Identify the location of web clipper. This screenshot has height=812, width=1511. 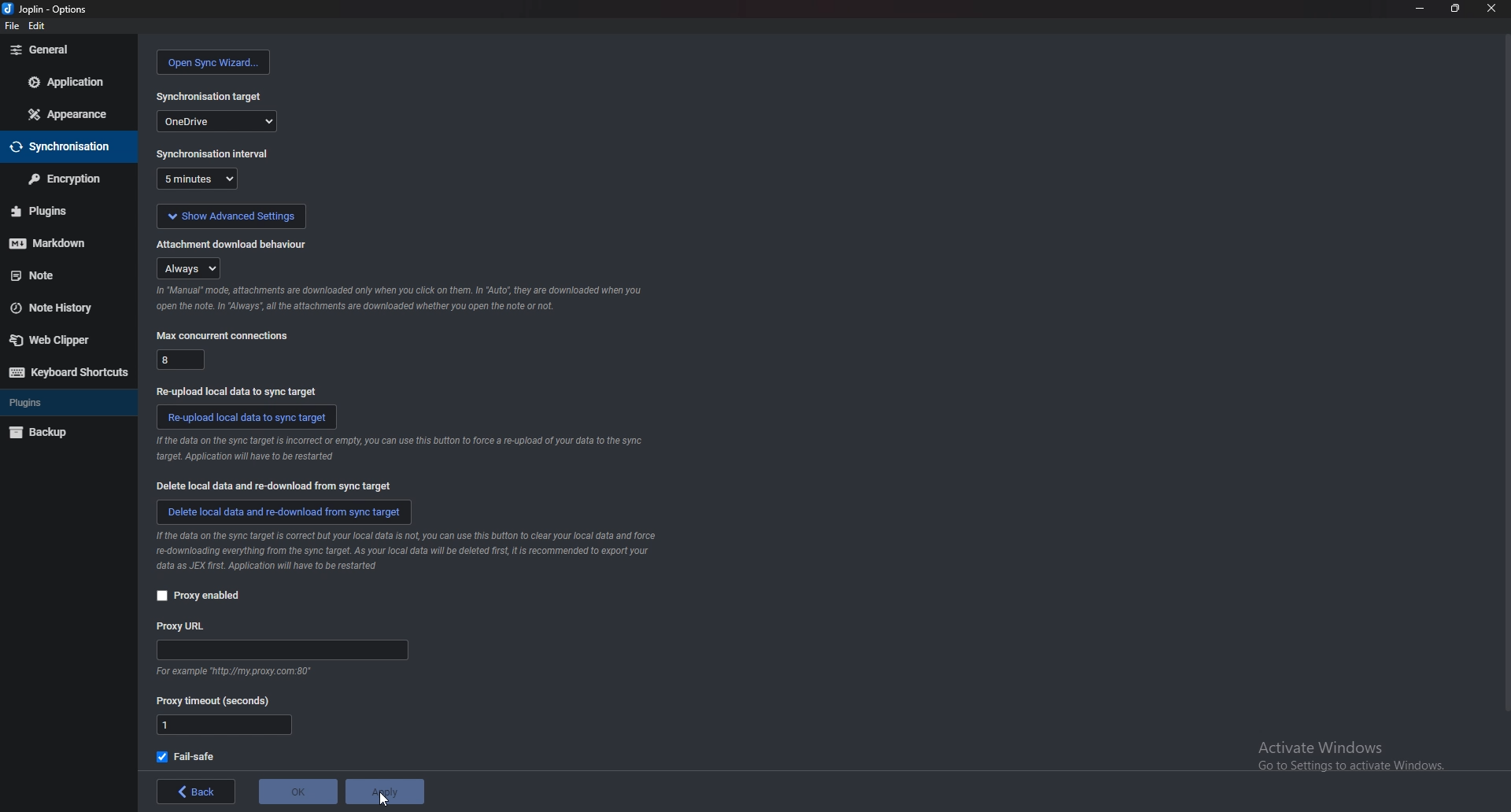
(62, 340).